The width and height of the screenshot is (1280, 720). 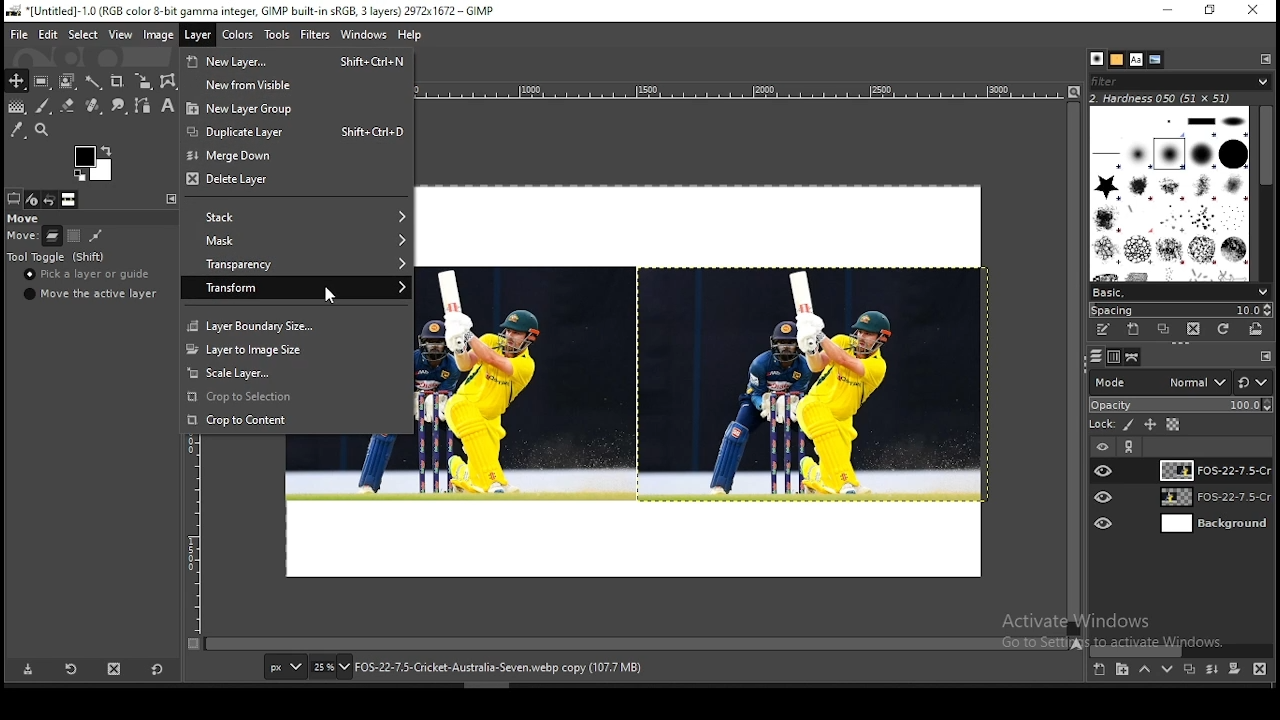 I want to click on fonts, so click(x=1137, y=59).